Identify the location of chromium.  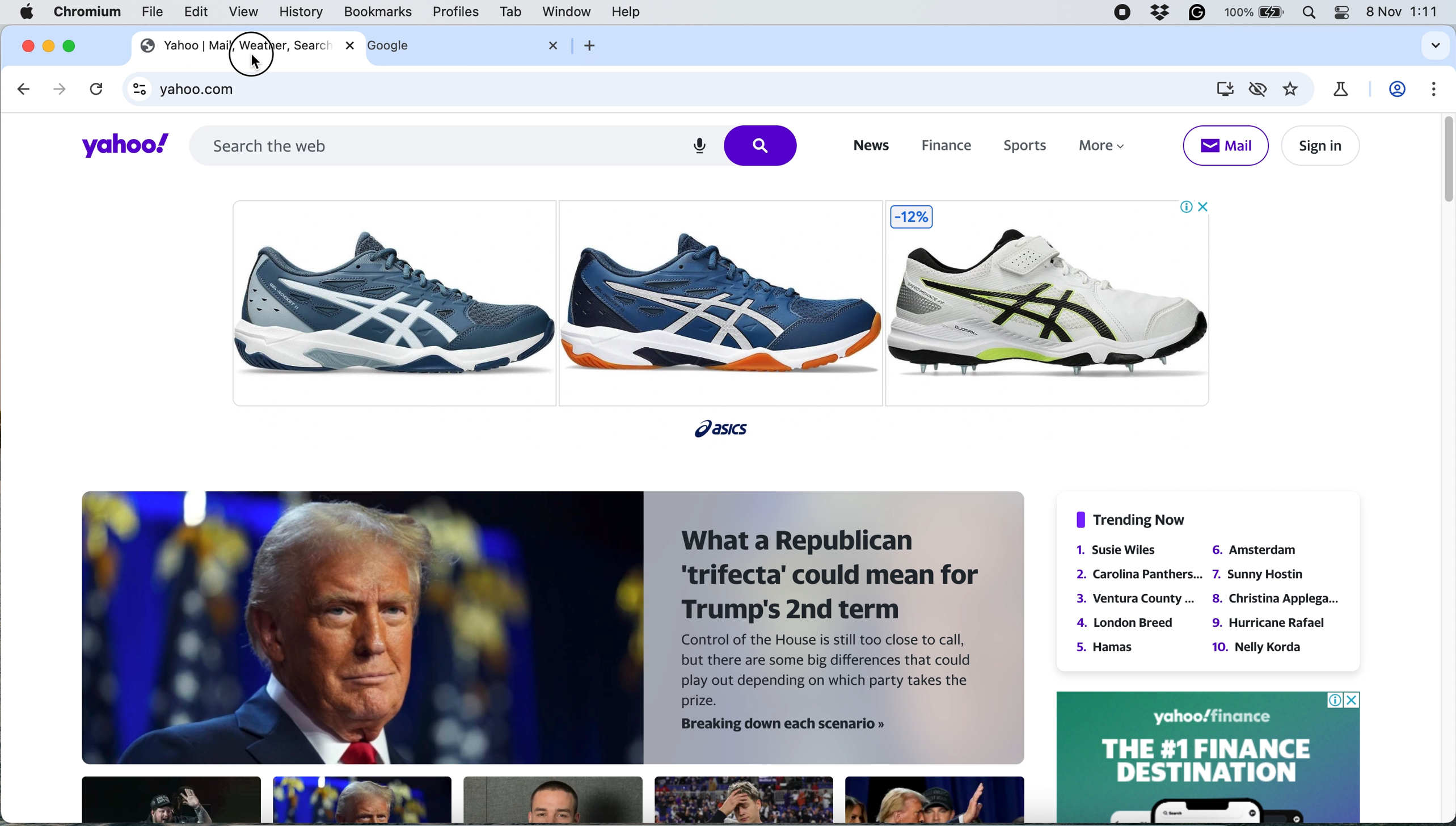
(88, 12).